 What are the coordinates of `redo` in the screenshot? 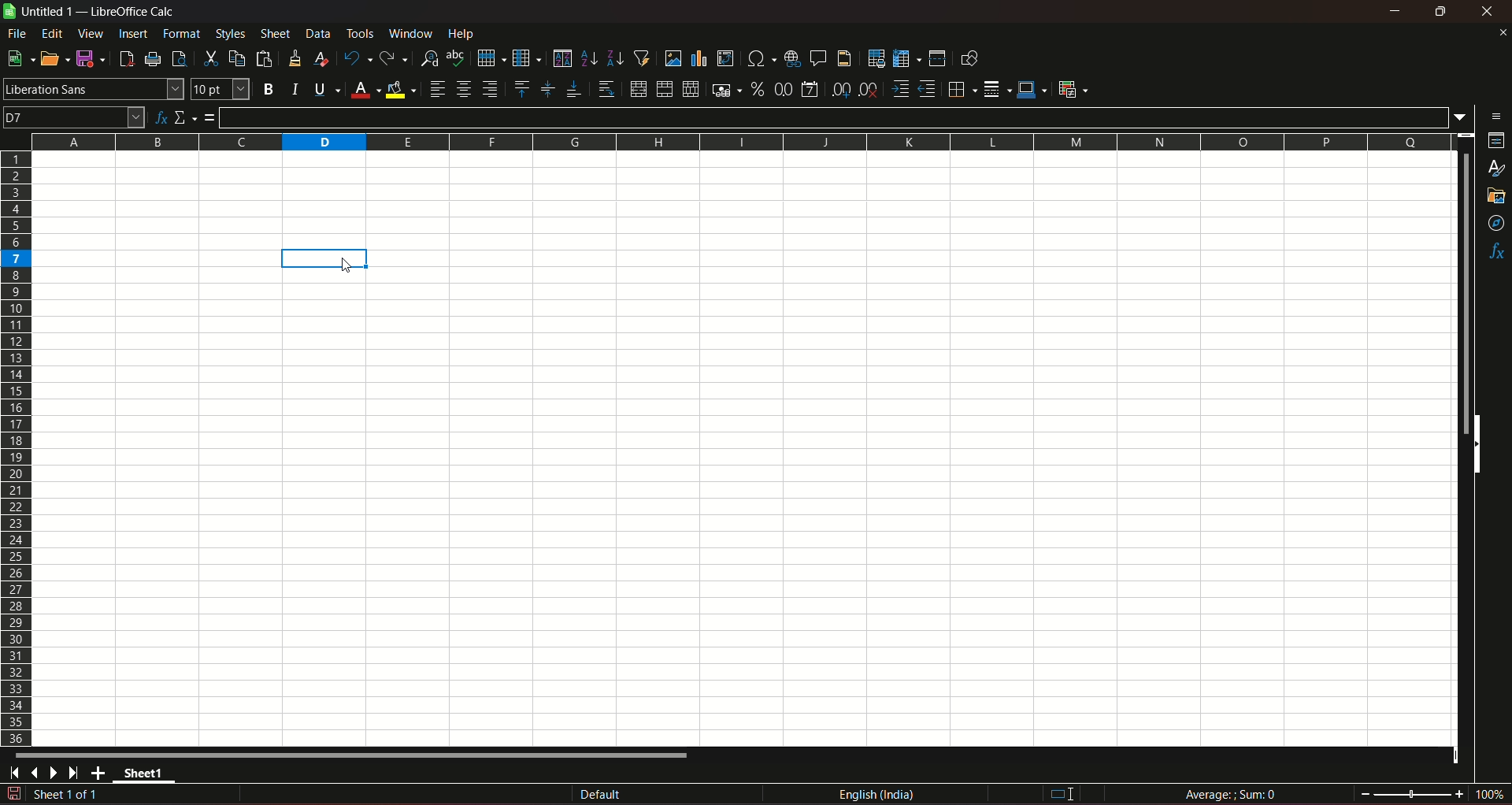 It's located at (394, 57).